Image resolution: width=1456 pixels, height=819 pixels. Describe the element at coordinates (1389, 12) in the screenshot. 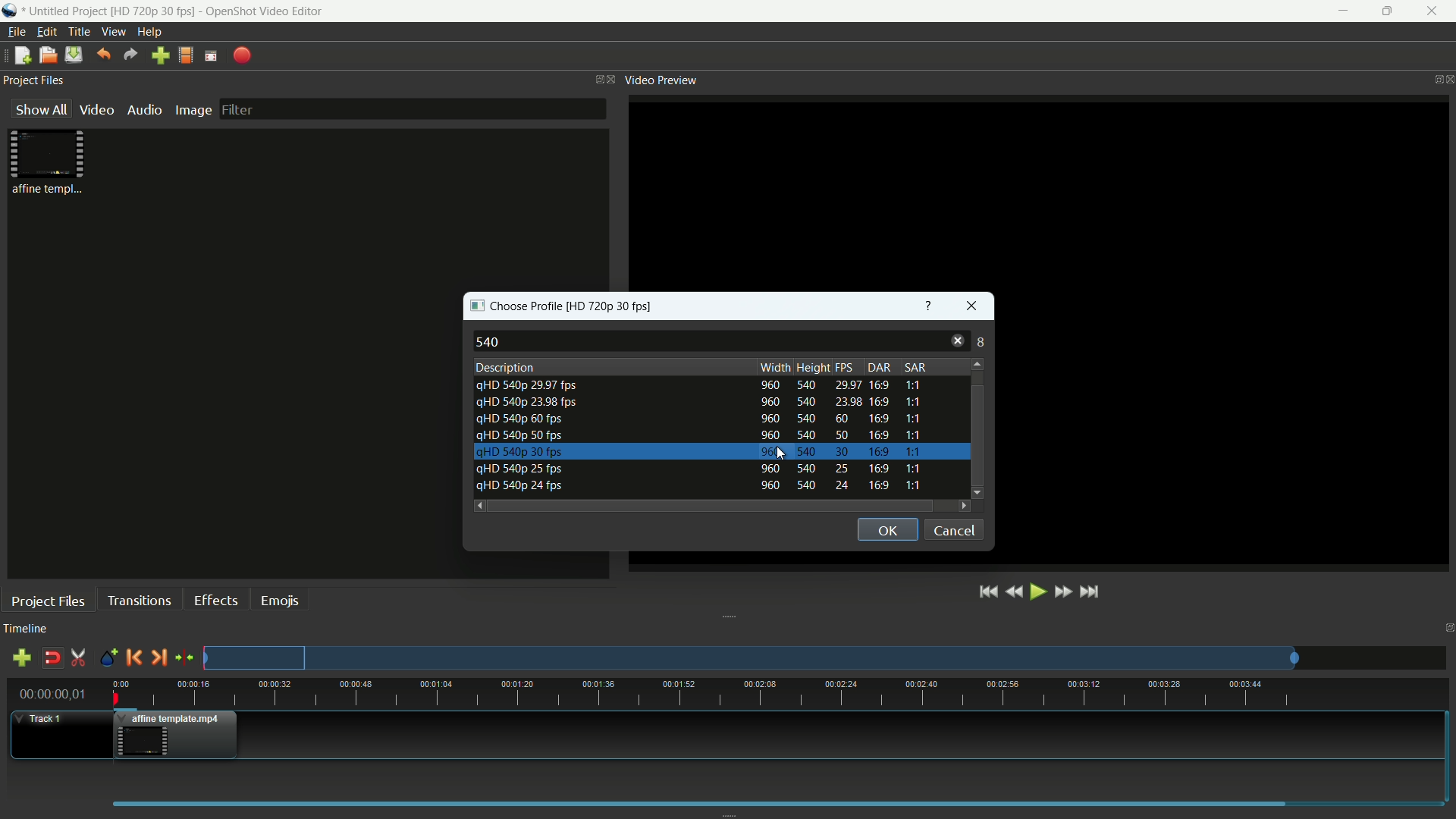

I see `maximize` at that location.